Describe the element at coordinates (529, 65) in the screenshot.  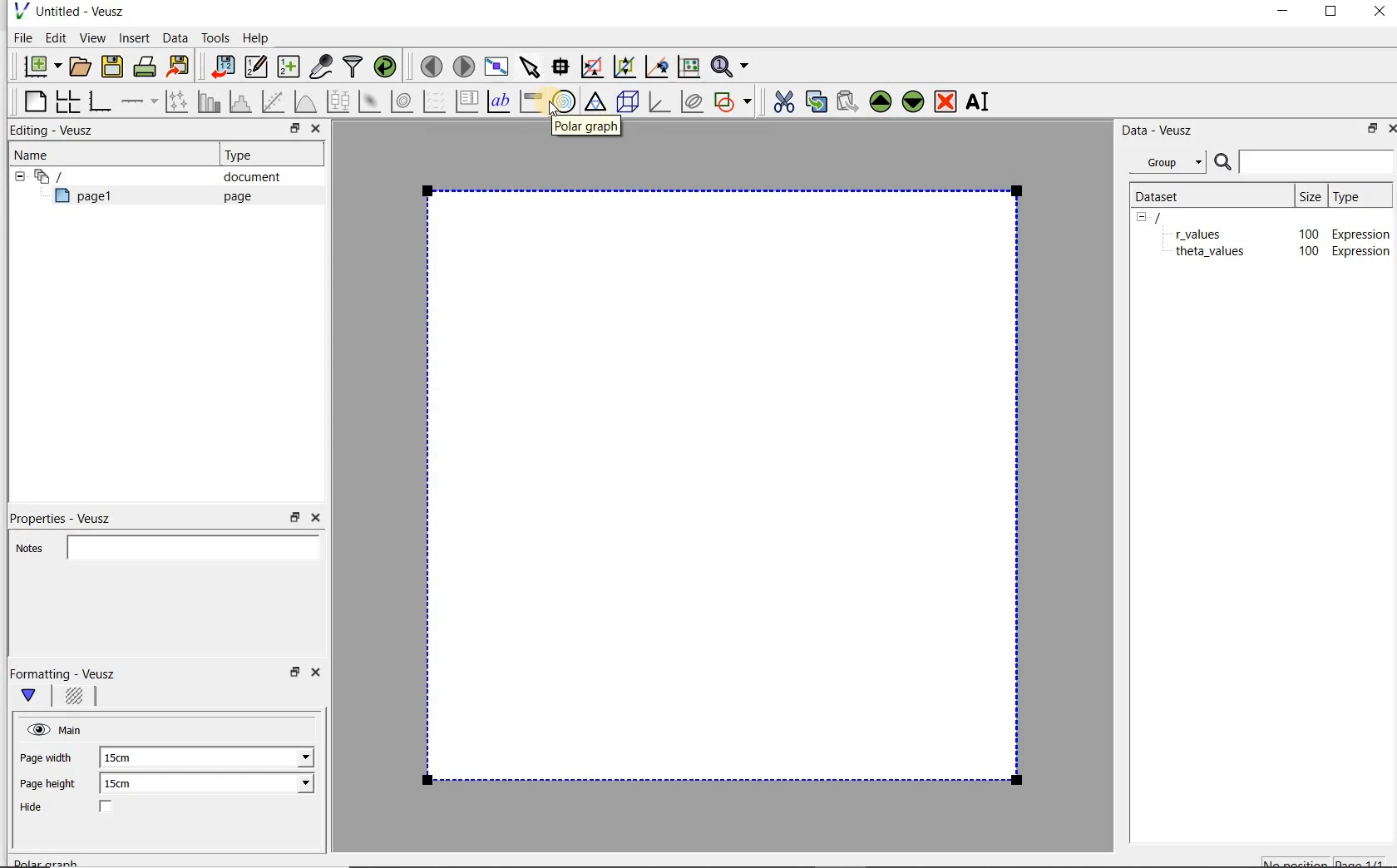
I see `select items from the graph or scroll` at that location.